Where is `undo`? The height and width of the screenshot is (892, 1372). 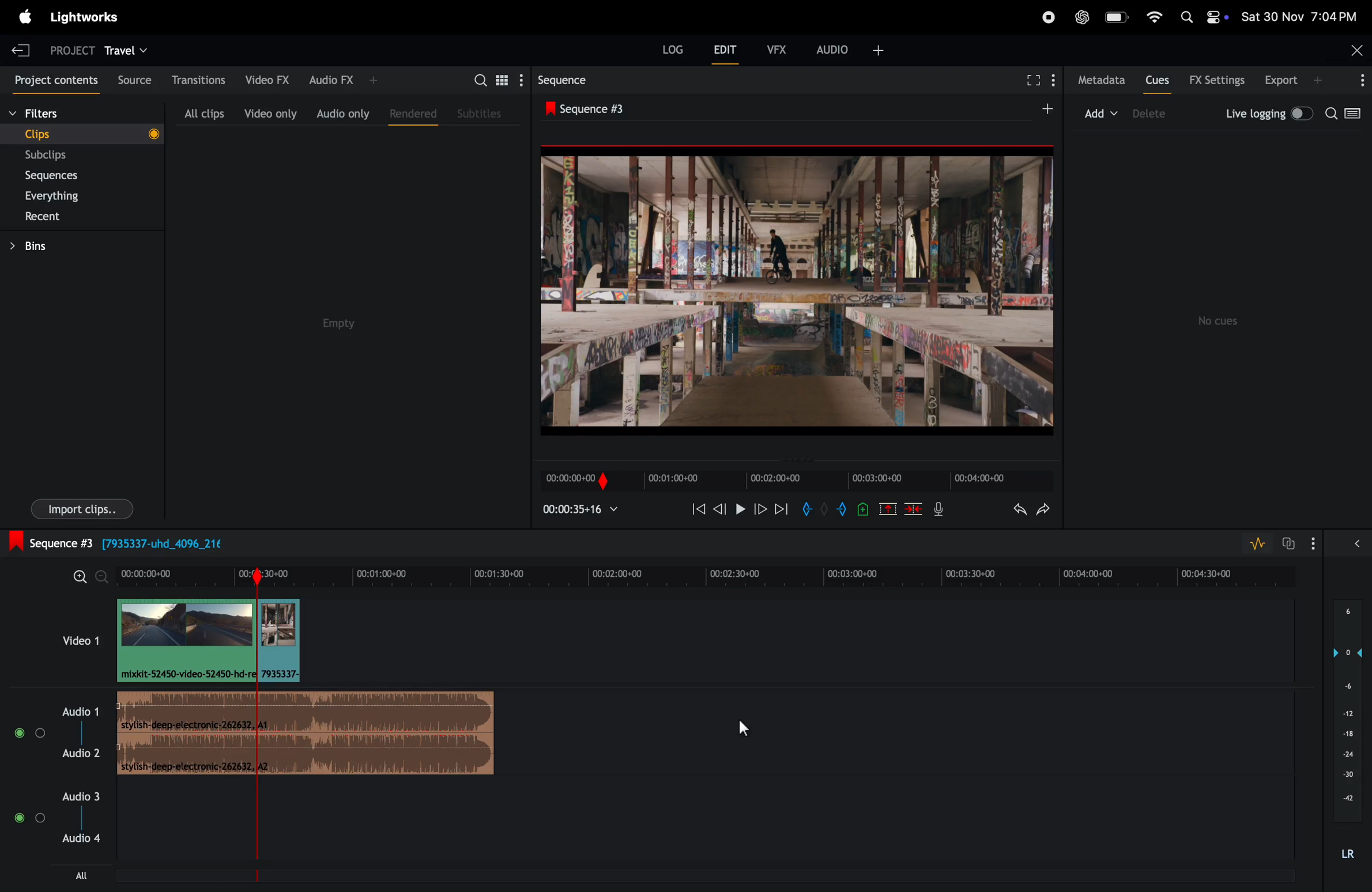
undo is located at coordinates (1011, 508).